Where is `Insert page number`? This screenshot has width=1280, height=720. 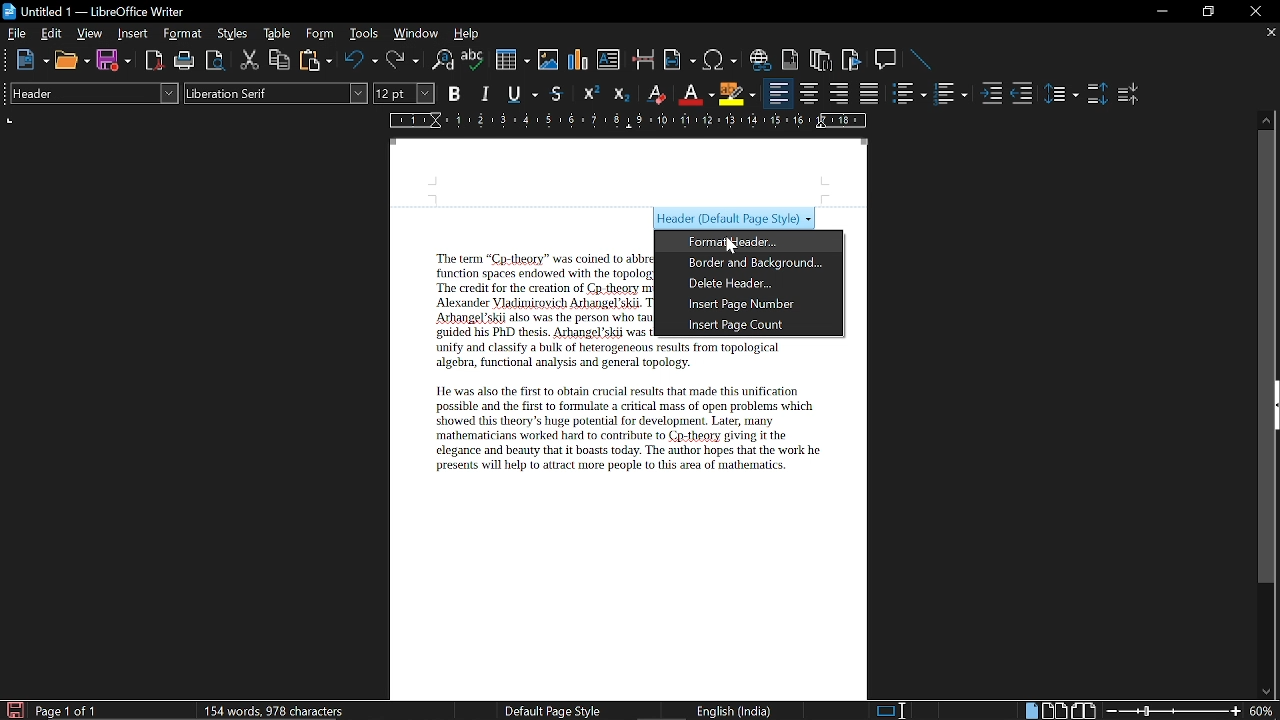
Insert page number is located at coordinates (755, 304).